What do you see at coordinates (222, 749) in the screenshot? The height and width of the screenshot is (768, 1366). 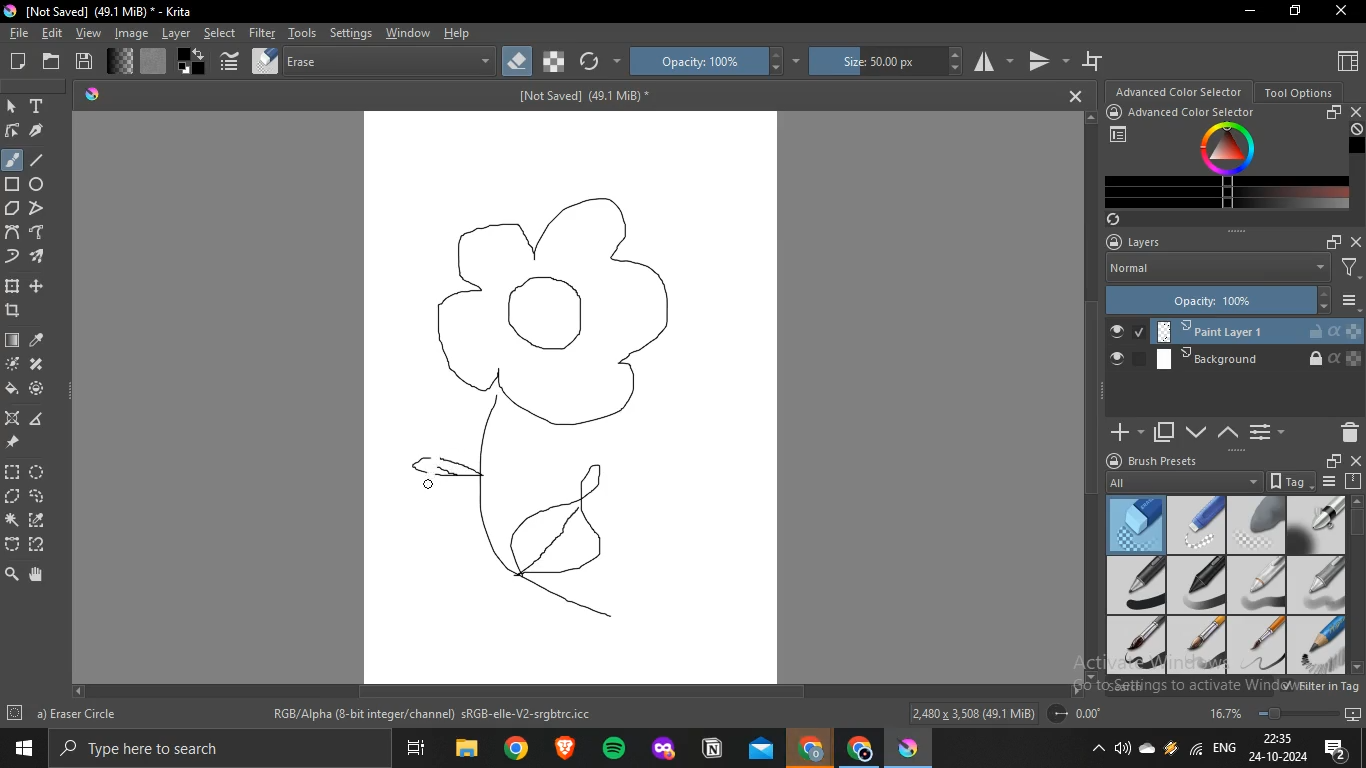 I see `Search bar` at bounding box center [222, 749].